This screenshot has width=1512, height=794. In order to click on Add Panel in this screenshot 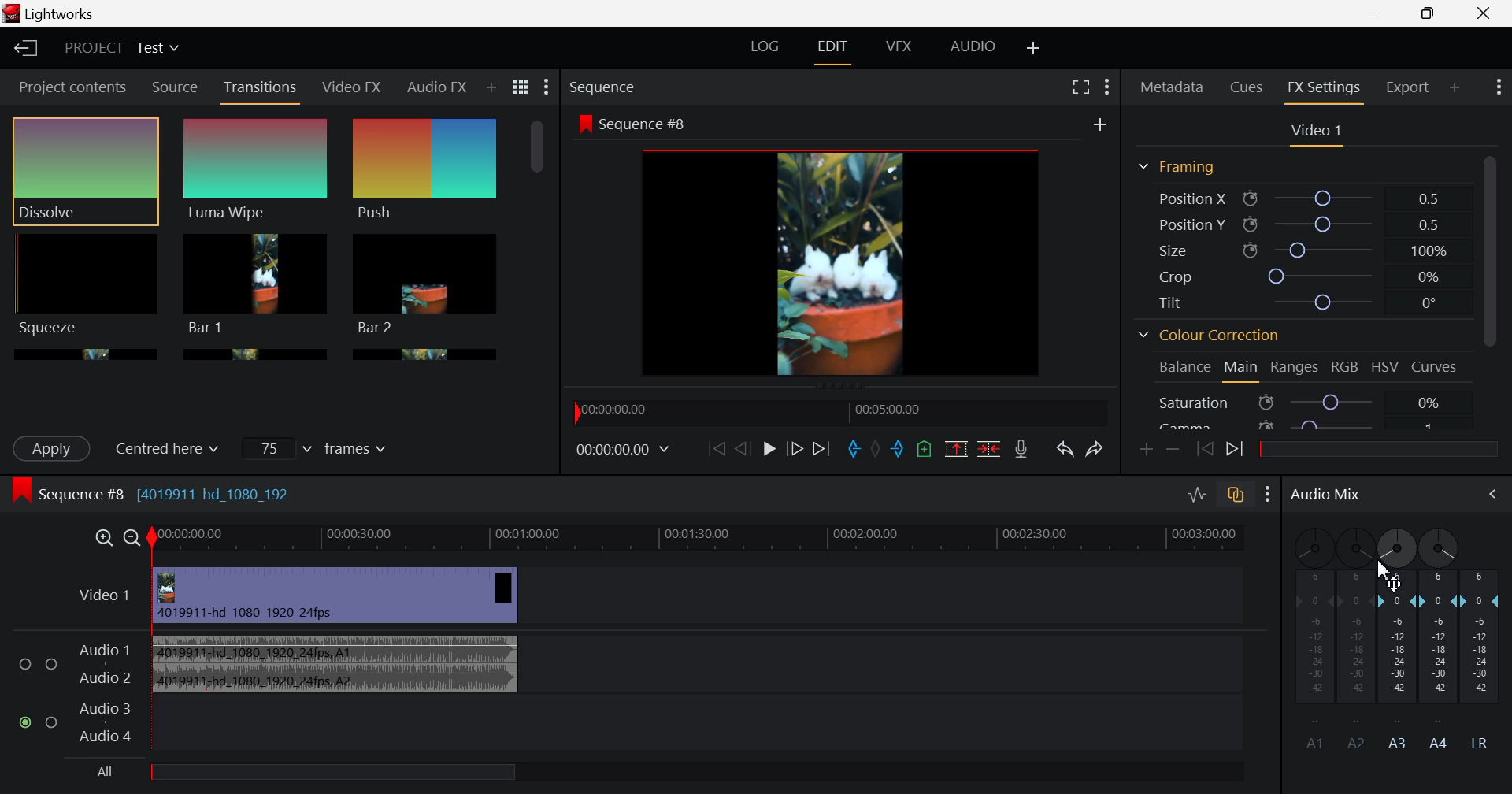, I will do `click(1455, 87)`.